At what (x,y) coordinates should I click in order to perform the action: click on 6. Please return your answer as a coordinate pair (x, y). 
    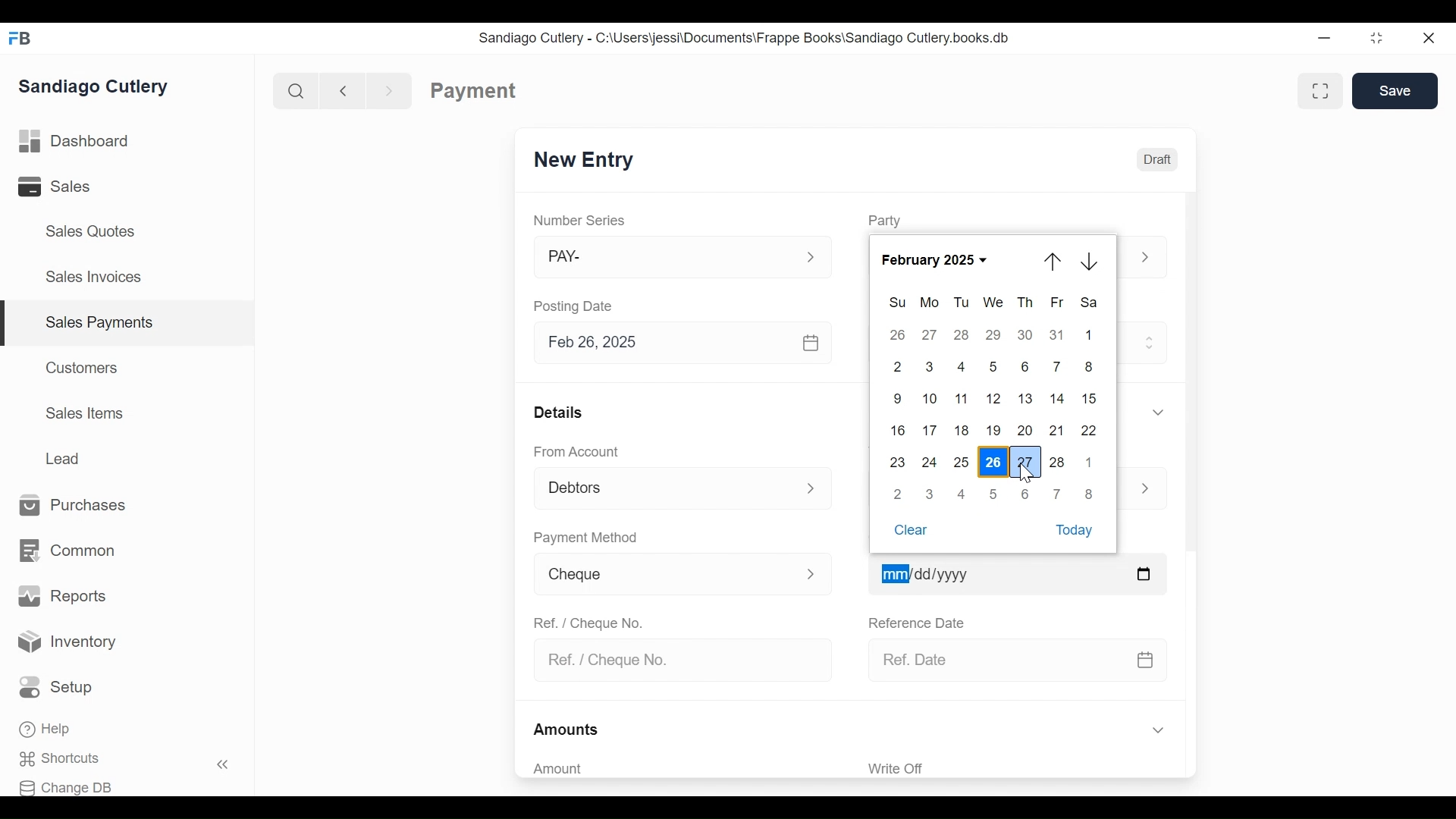
    Looking at the image, I should click on (1026, 494).